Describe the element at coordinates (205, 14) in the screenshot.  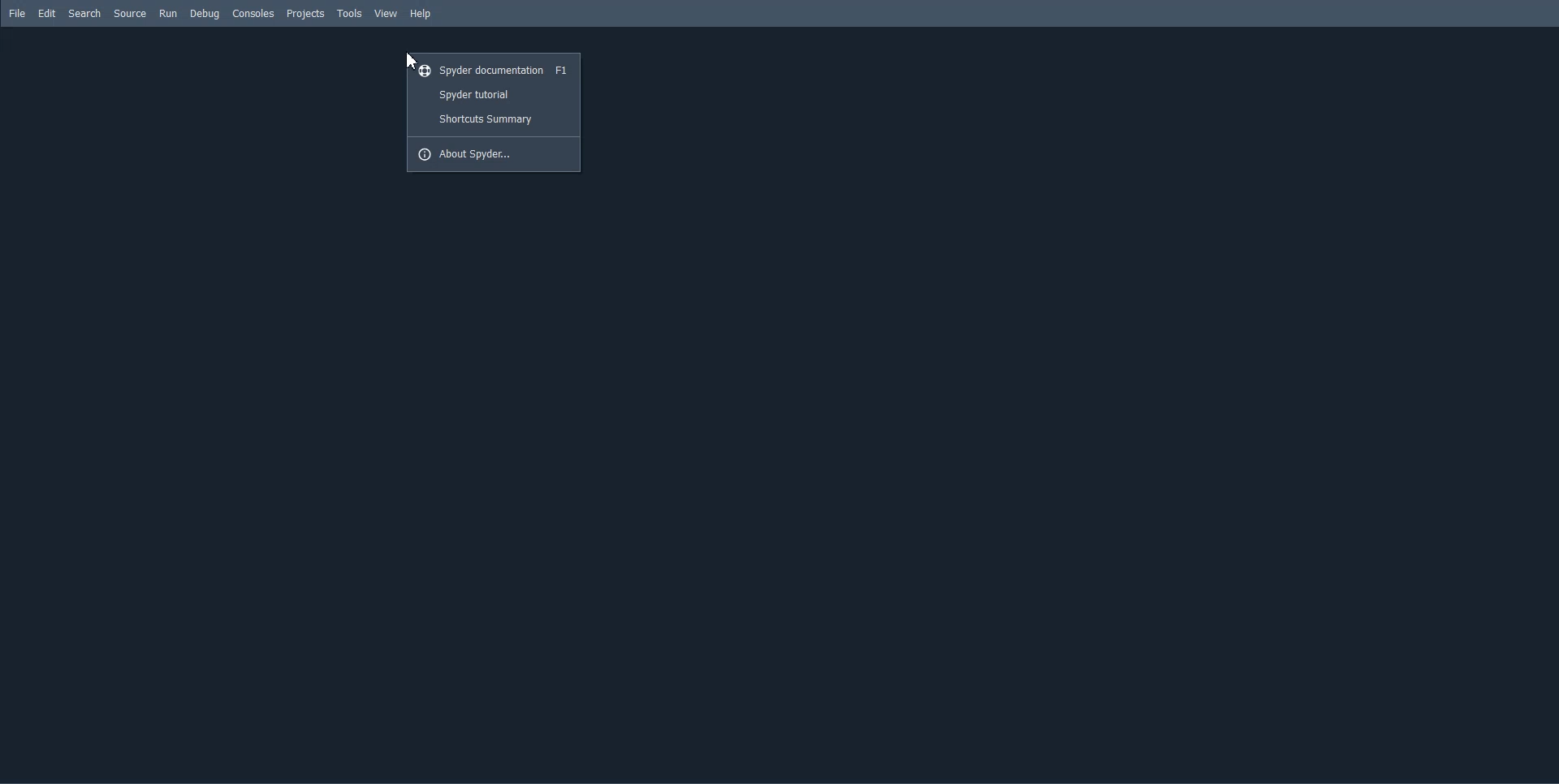
I see `Debug` at that location.